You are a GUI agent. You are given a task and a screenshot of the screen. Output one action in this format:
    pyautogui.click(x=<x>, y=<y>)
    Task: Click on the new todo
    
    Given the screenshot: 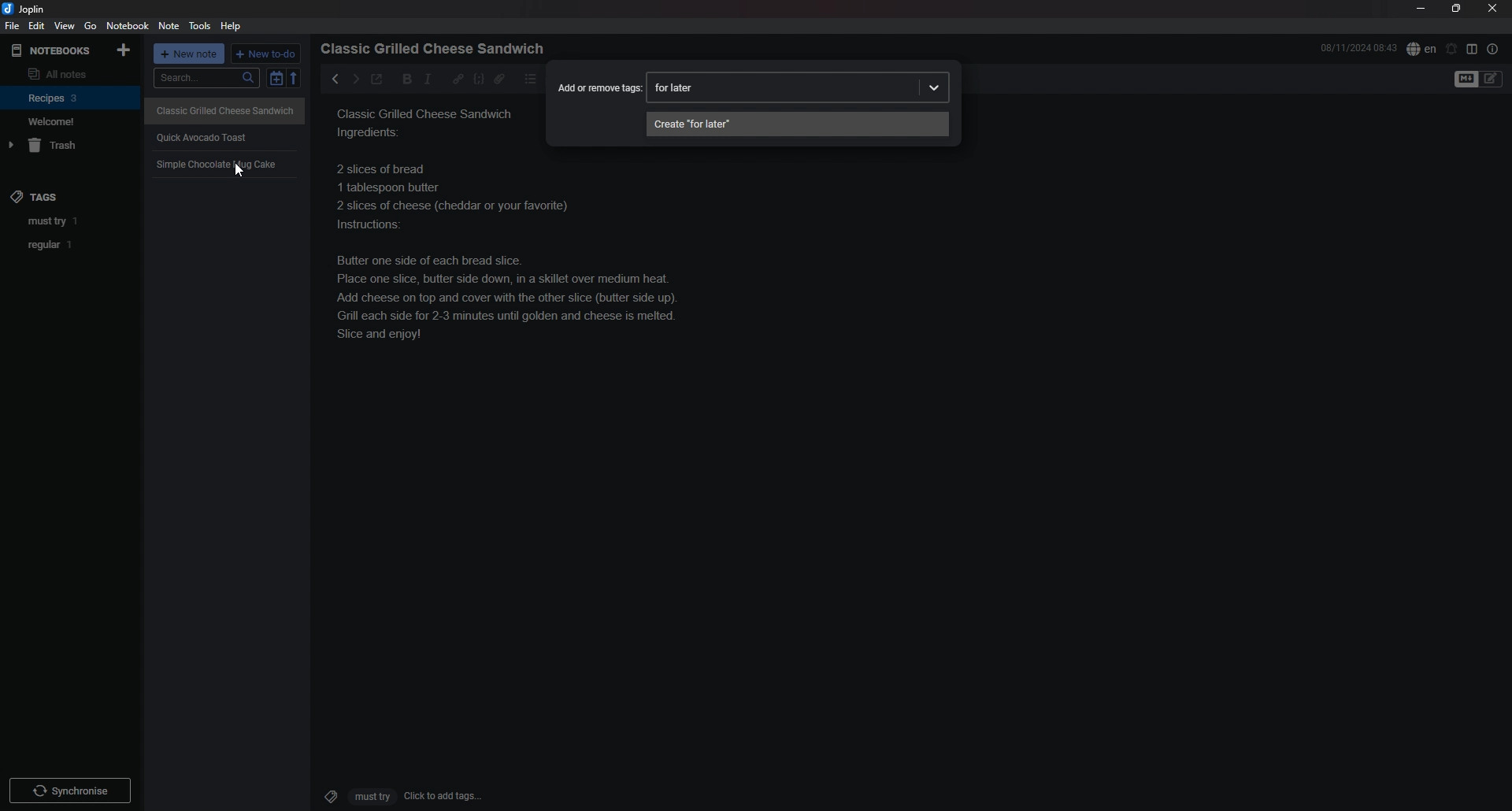 What is the action you would take?
    pyautogui.click(x=267, y=54)
    